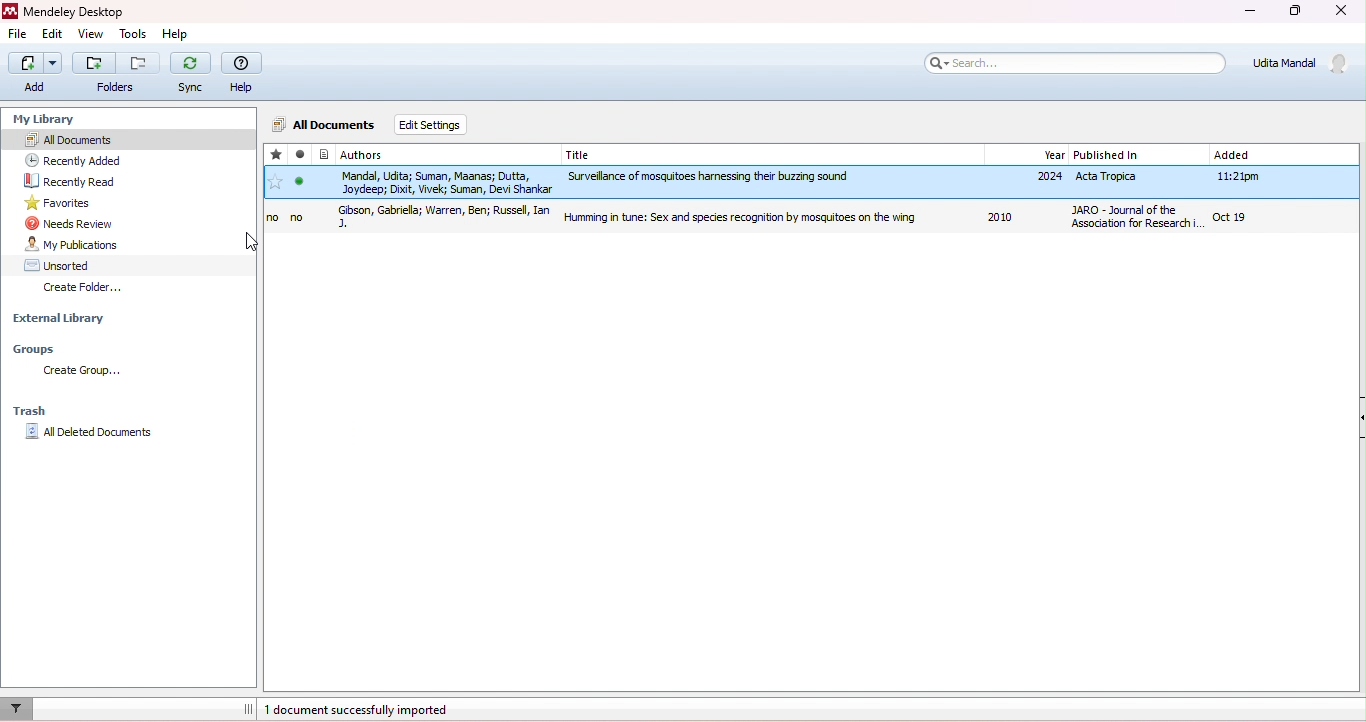 The width and height of the screenshot is (1366, 722). I want to click on oct19, so click(1230, 217).